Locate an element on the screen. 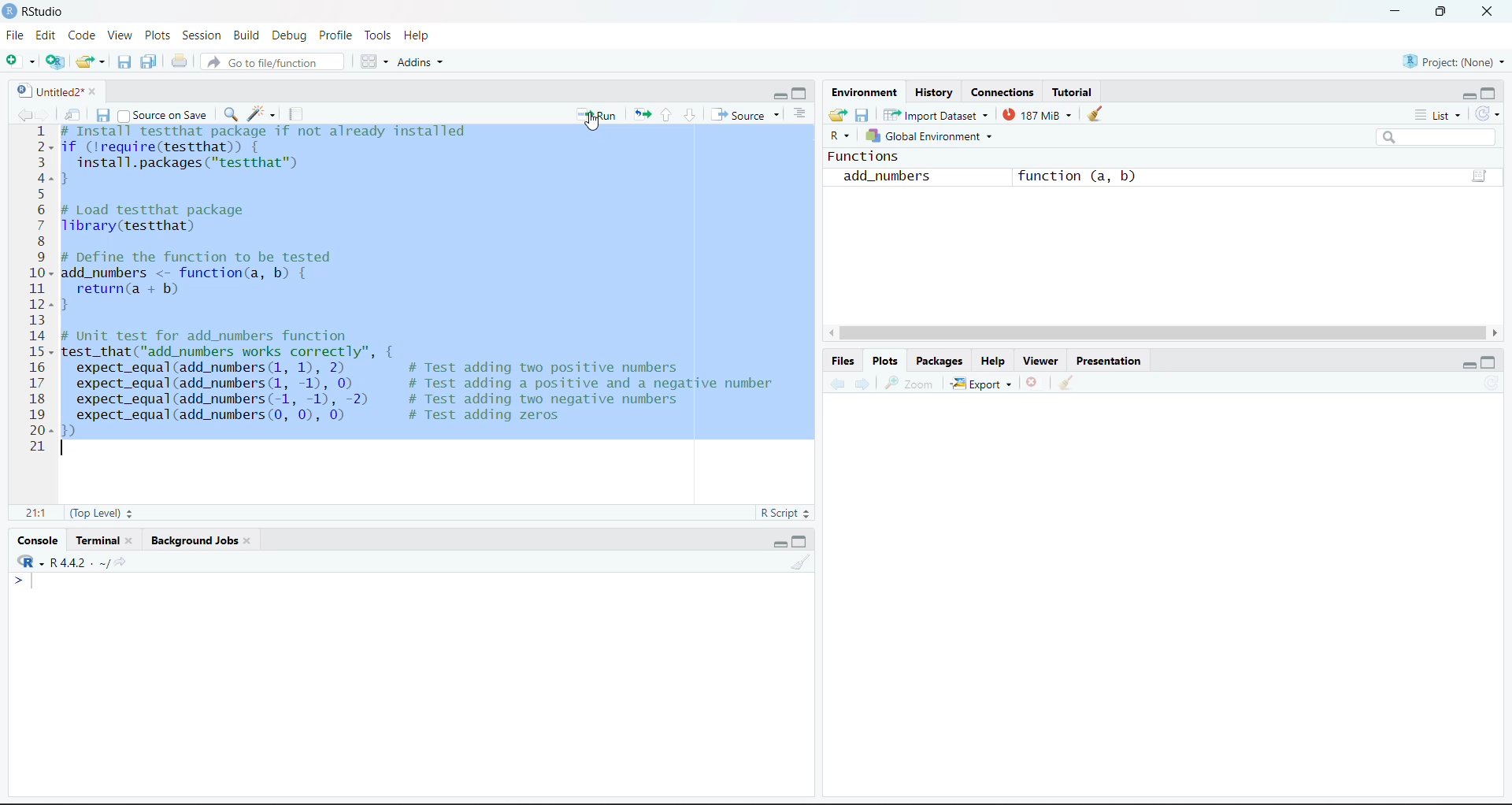 The width and height of the screenshot is (1512, 805). Help is located at coordinates (417, 35).